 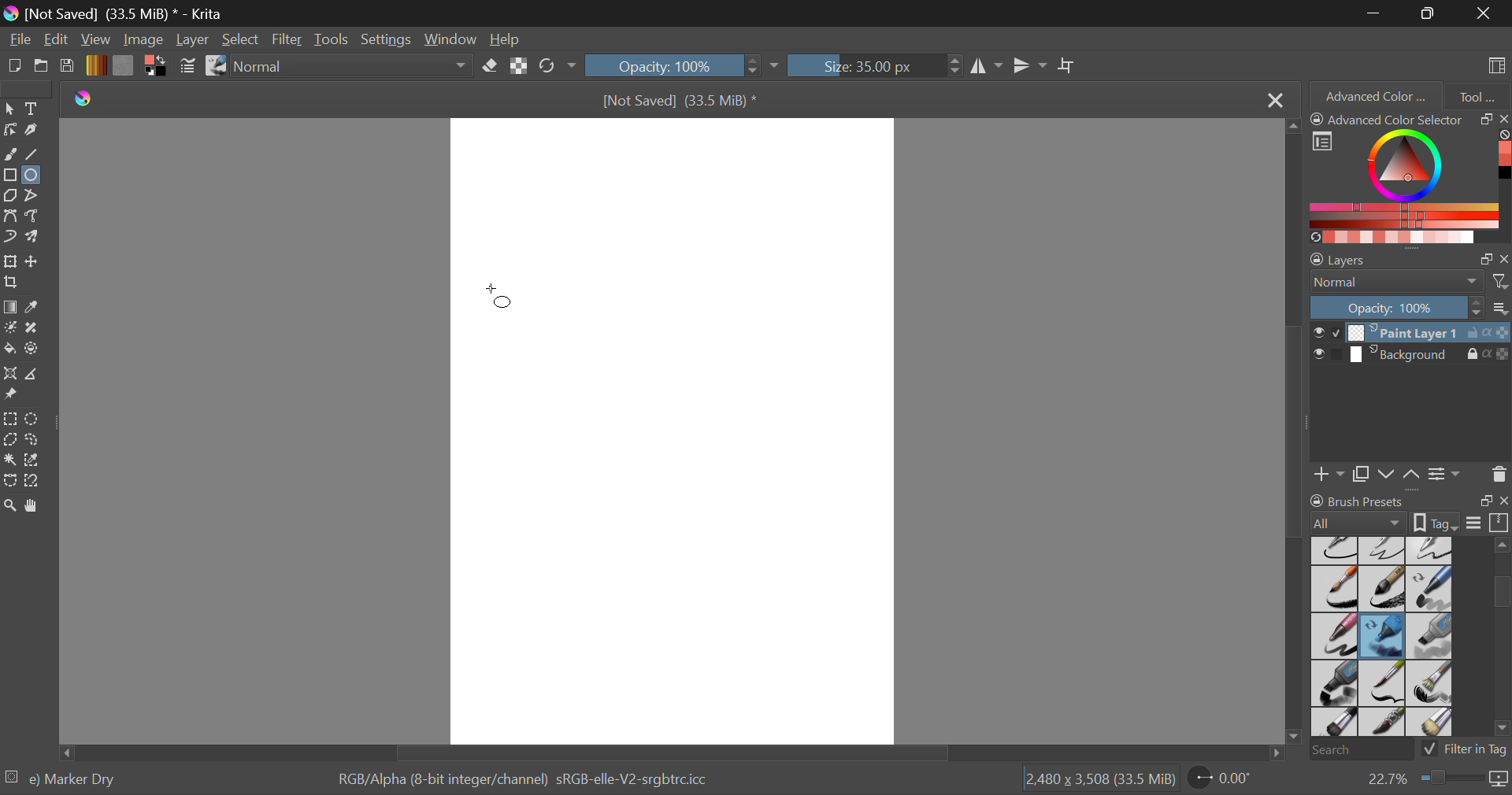 What do you see at coordinates (1410, 177) in the screenshot?
I see `Advanced Color Selector` at bounding box center [1410, 177].